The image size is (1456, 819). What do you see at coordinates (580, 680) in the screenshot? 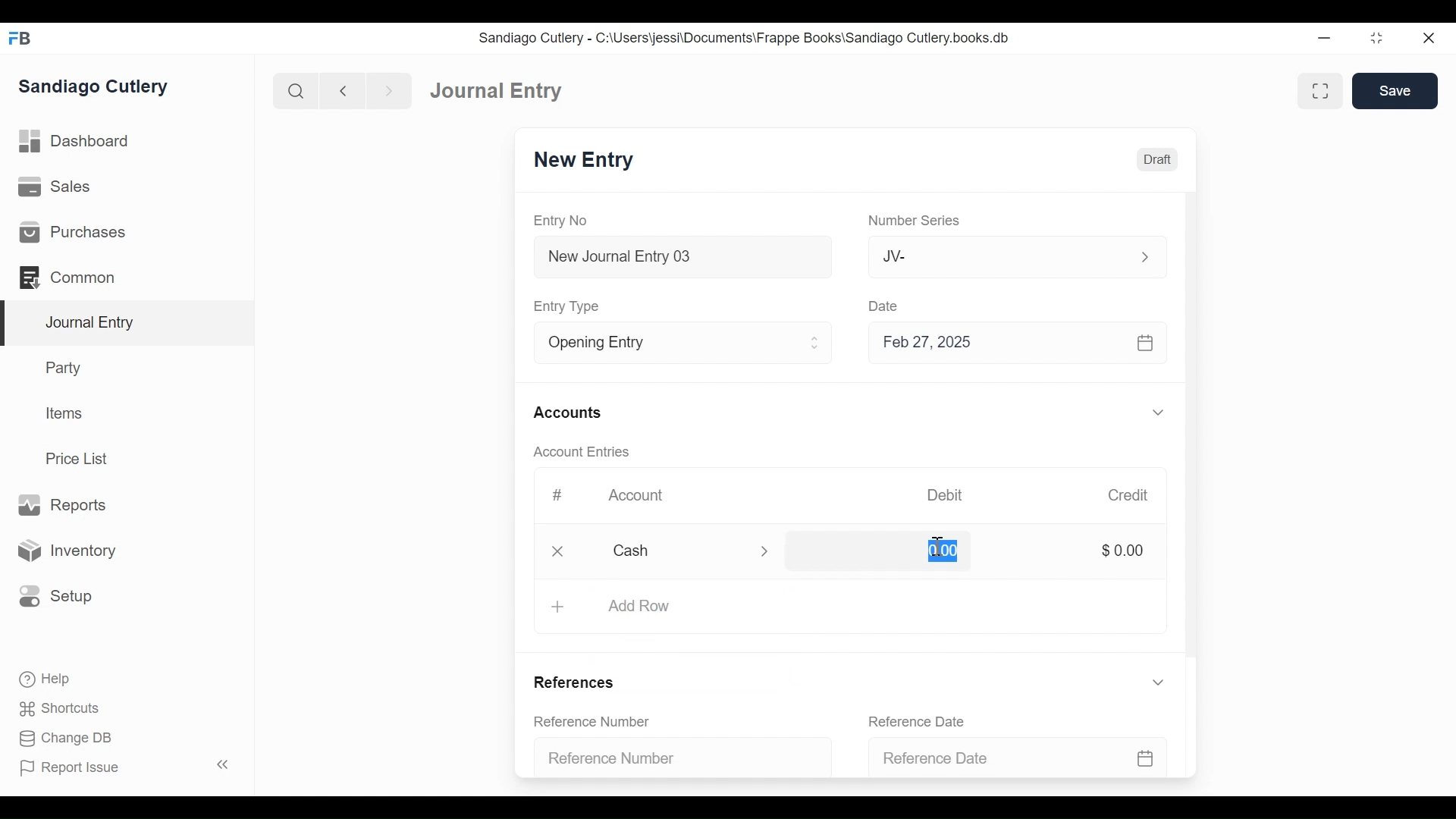
I see `References` at bounding box center [580, 680].